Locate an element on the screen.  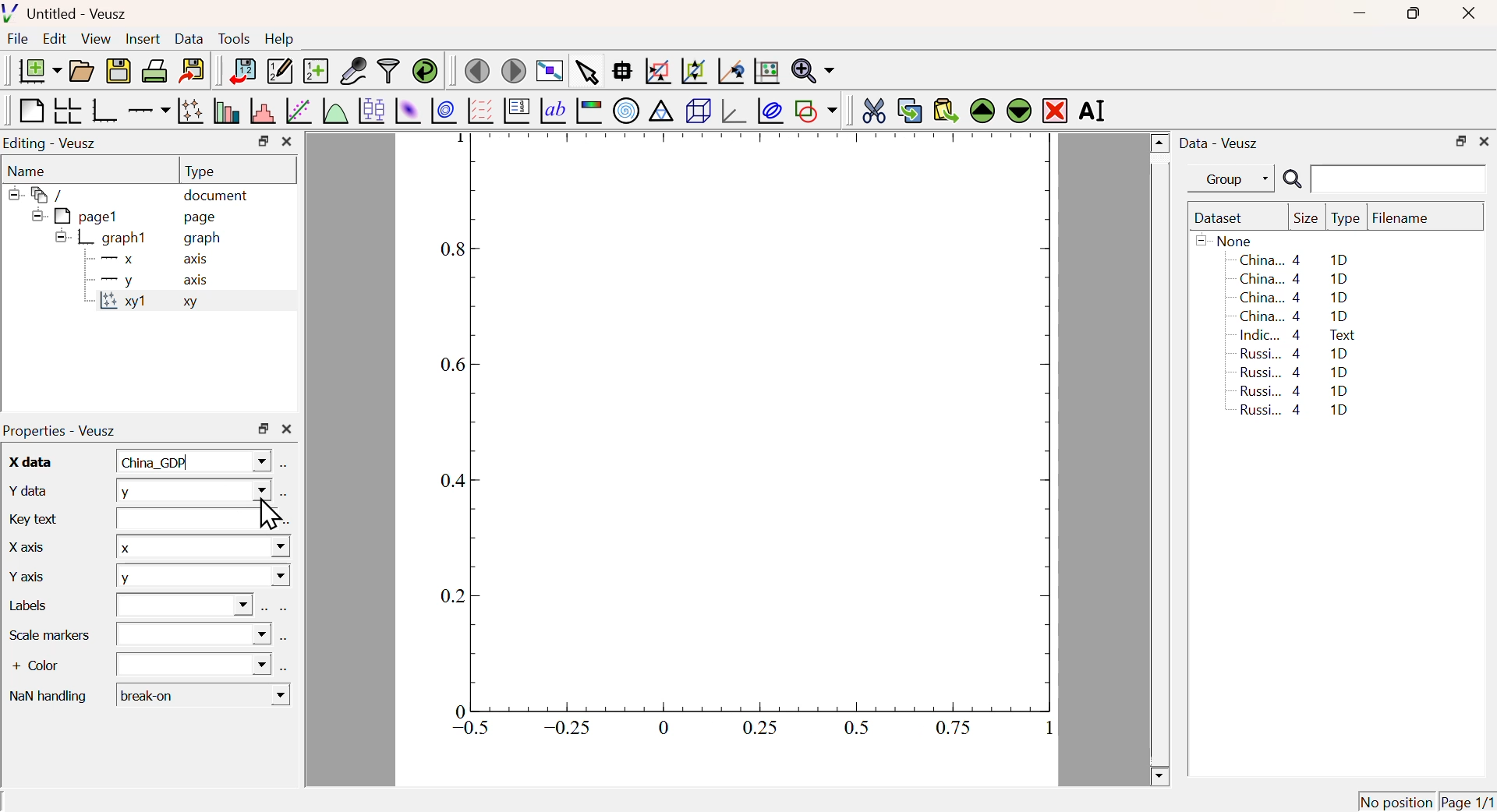
Type is located at coordinates (1346, 219).